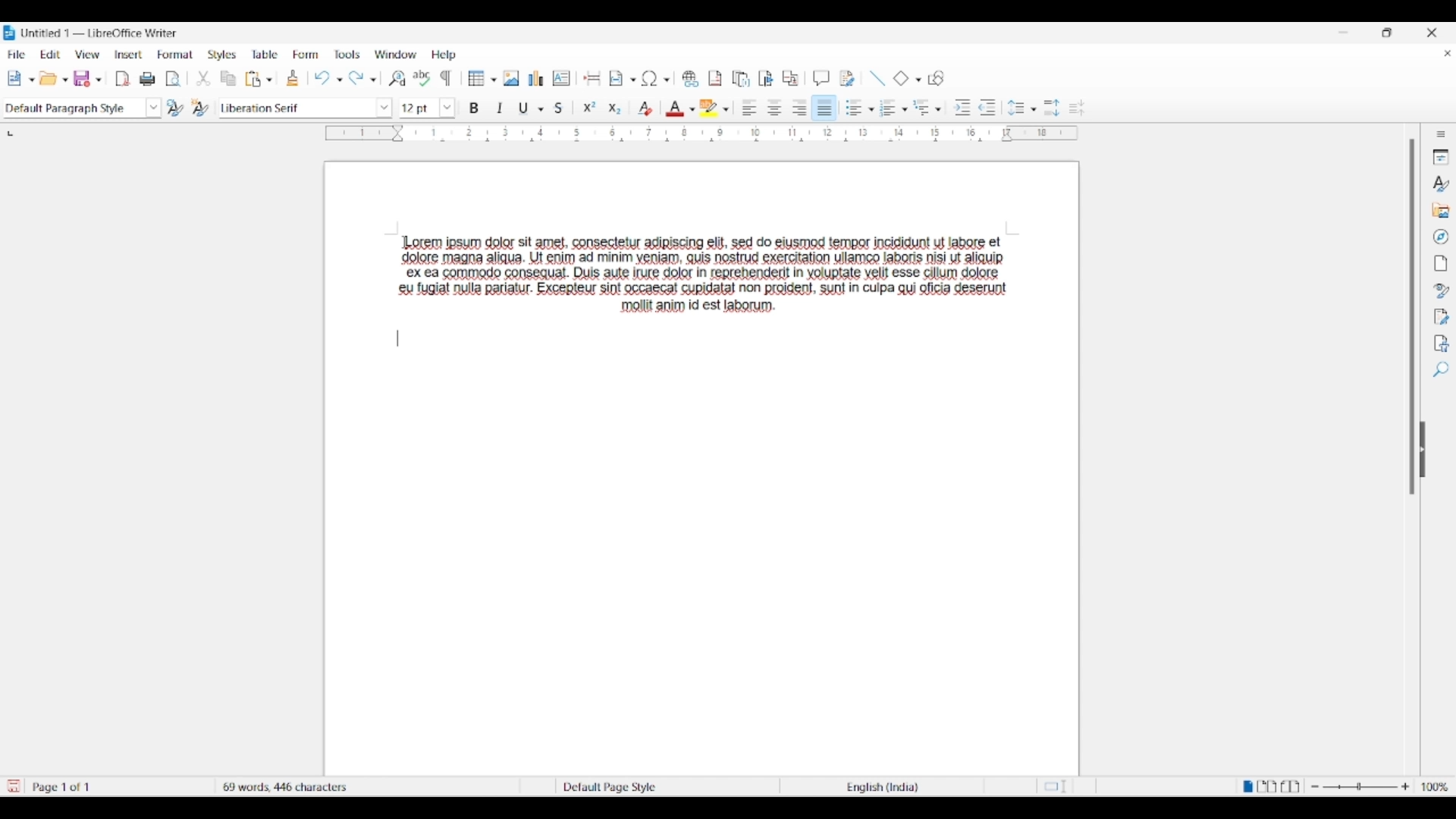 The height and width of the screenshot is (819, 1456). I want to click on Increase/Decrease font size, so click(447, 108).